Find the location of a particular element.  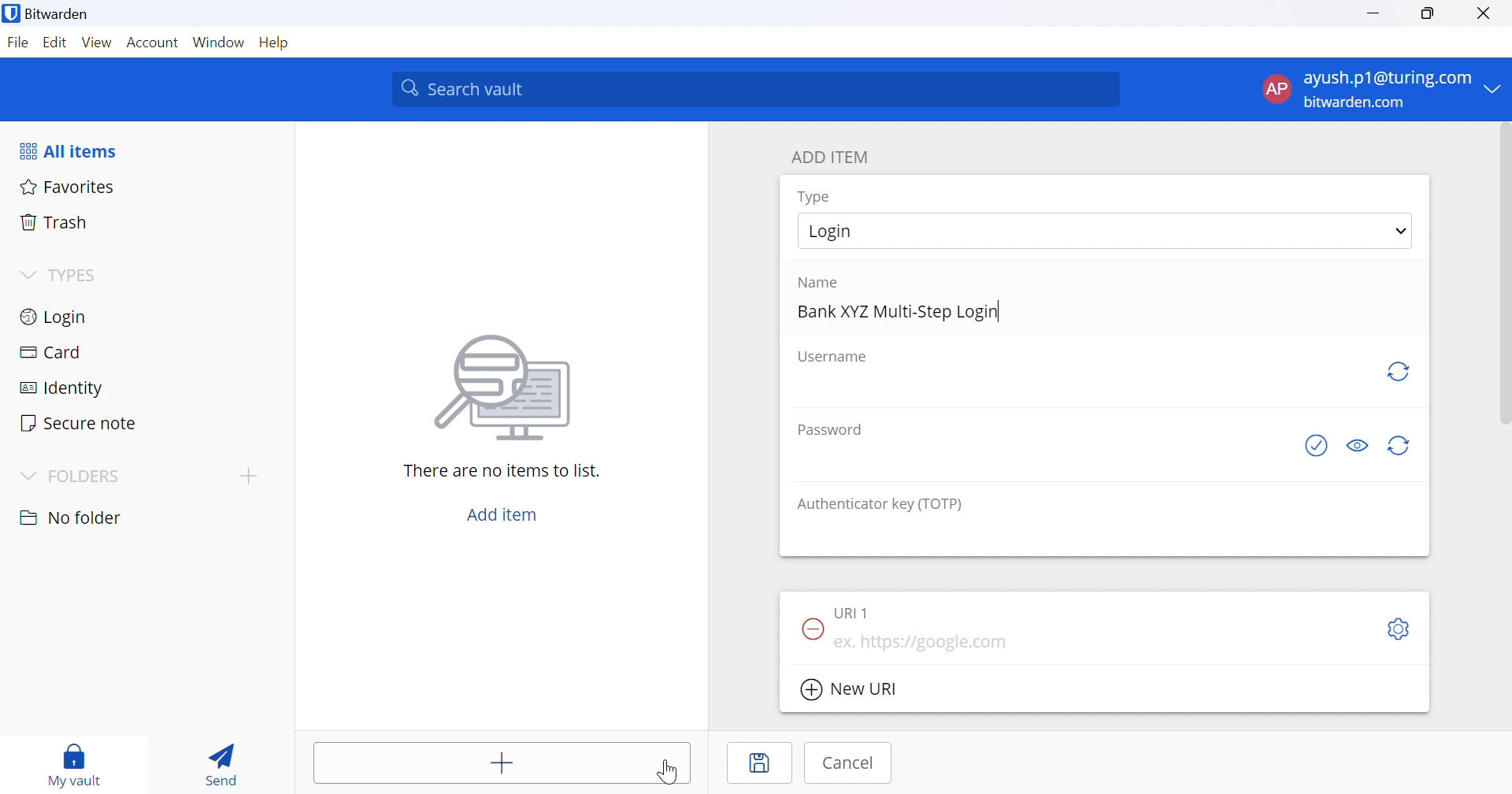

All items is located at coordinates (72, 149).